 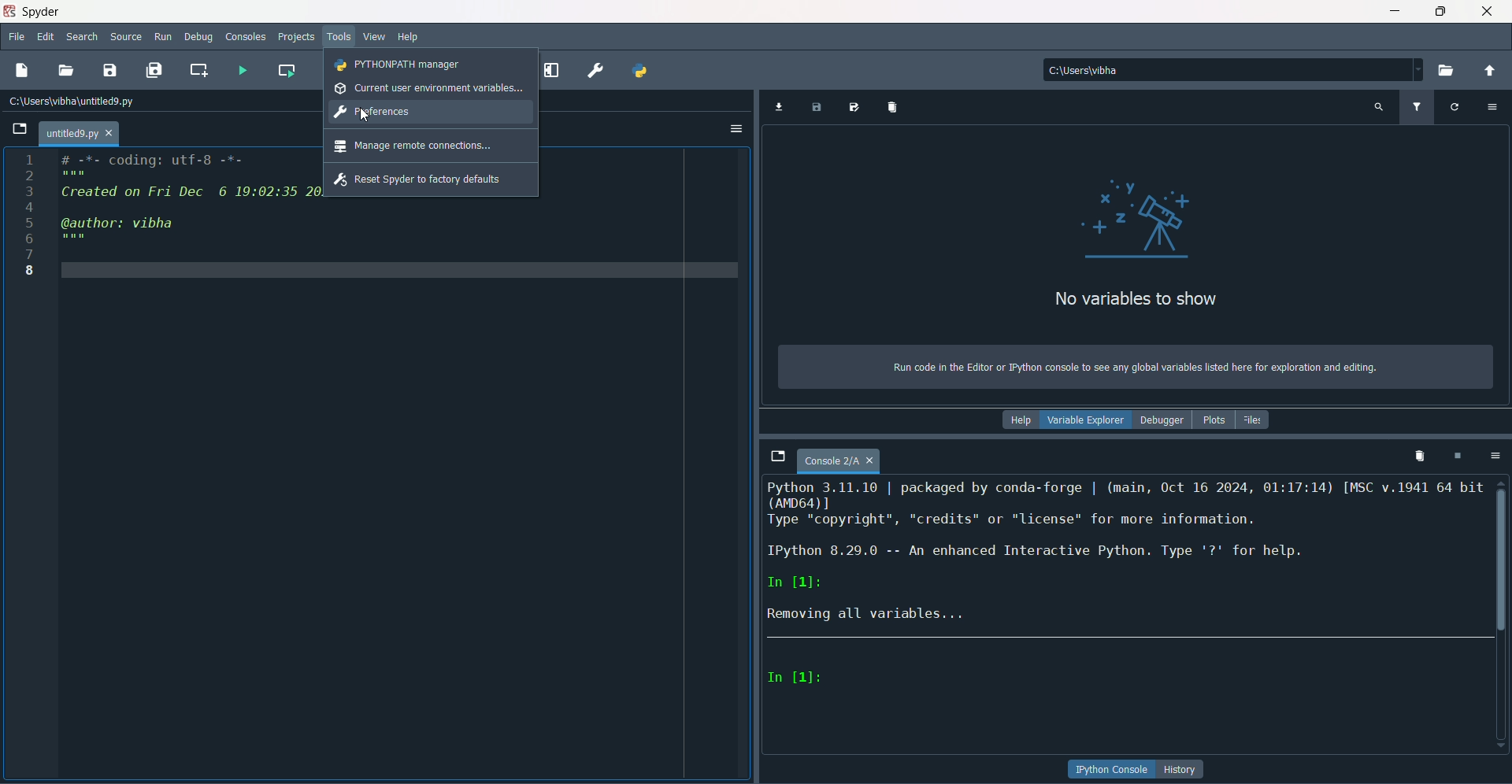 I want to click on text, so click(x=1133, y=368).